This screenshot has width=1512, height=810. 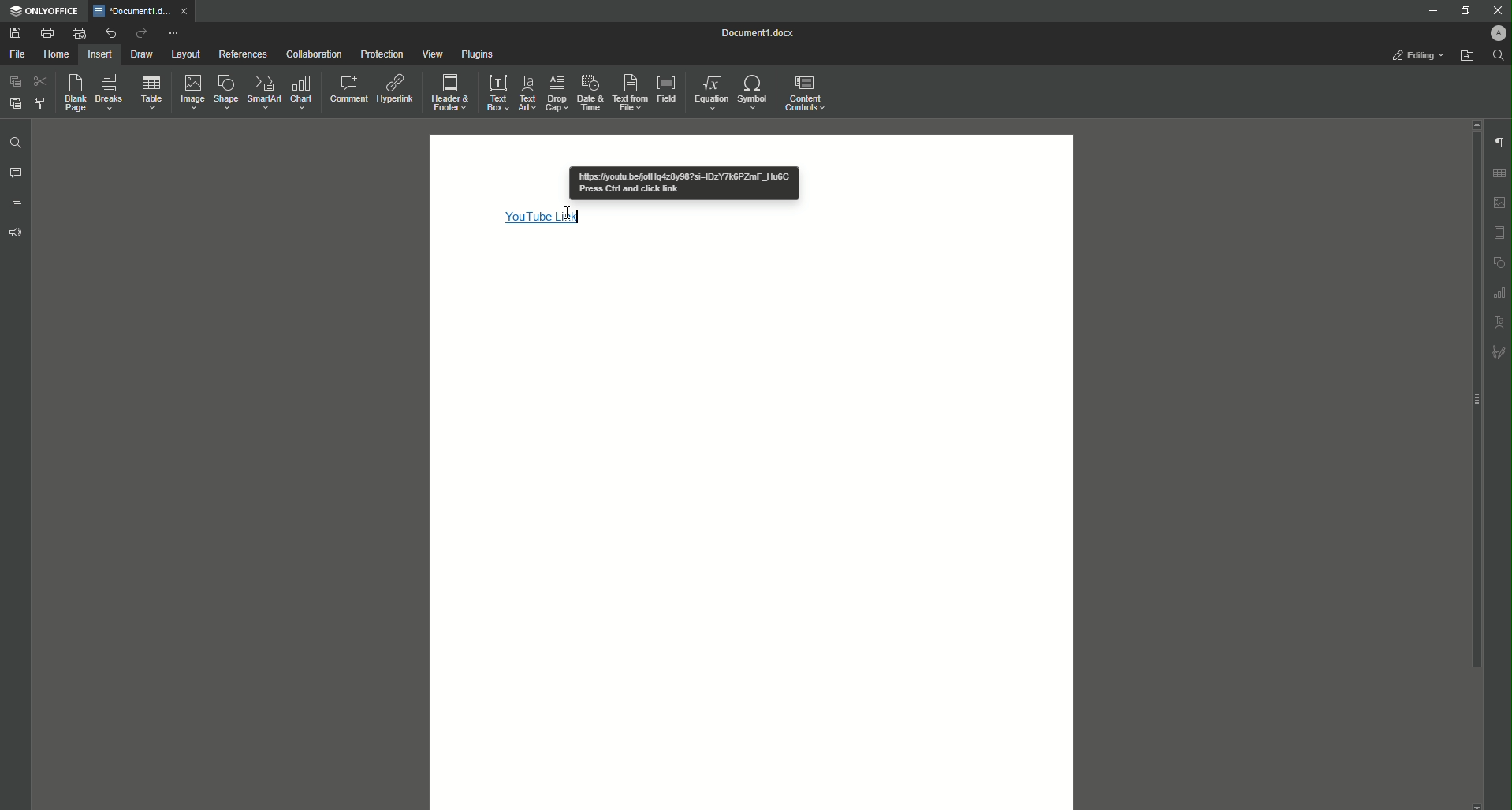 I want to click on More Options, so click(x=175, y=34).